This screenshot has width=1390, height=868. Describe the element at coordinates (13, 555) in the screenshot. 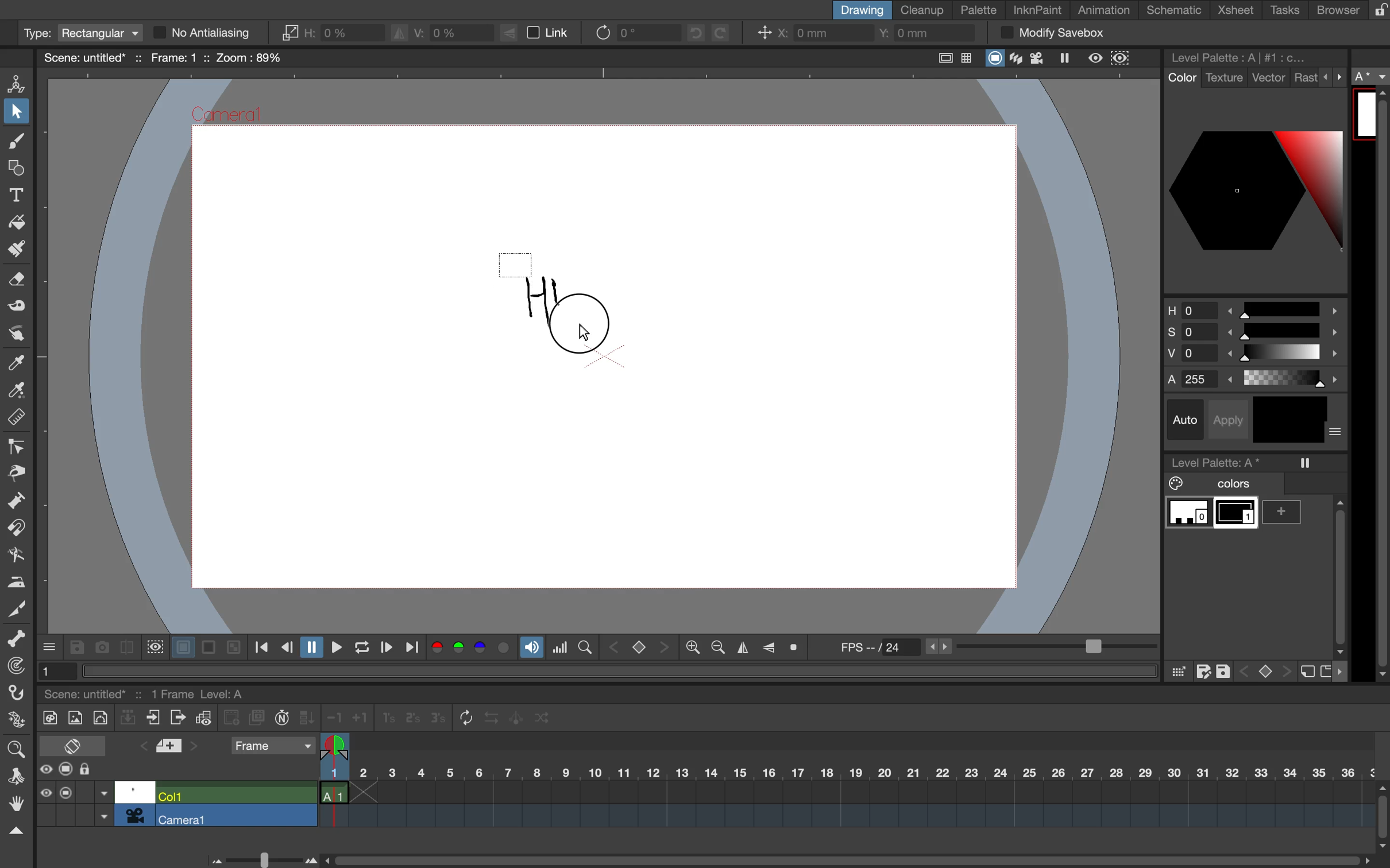

I see `bender tool` at that location.